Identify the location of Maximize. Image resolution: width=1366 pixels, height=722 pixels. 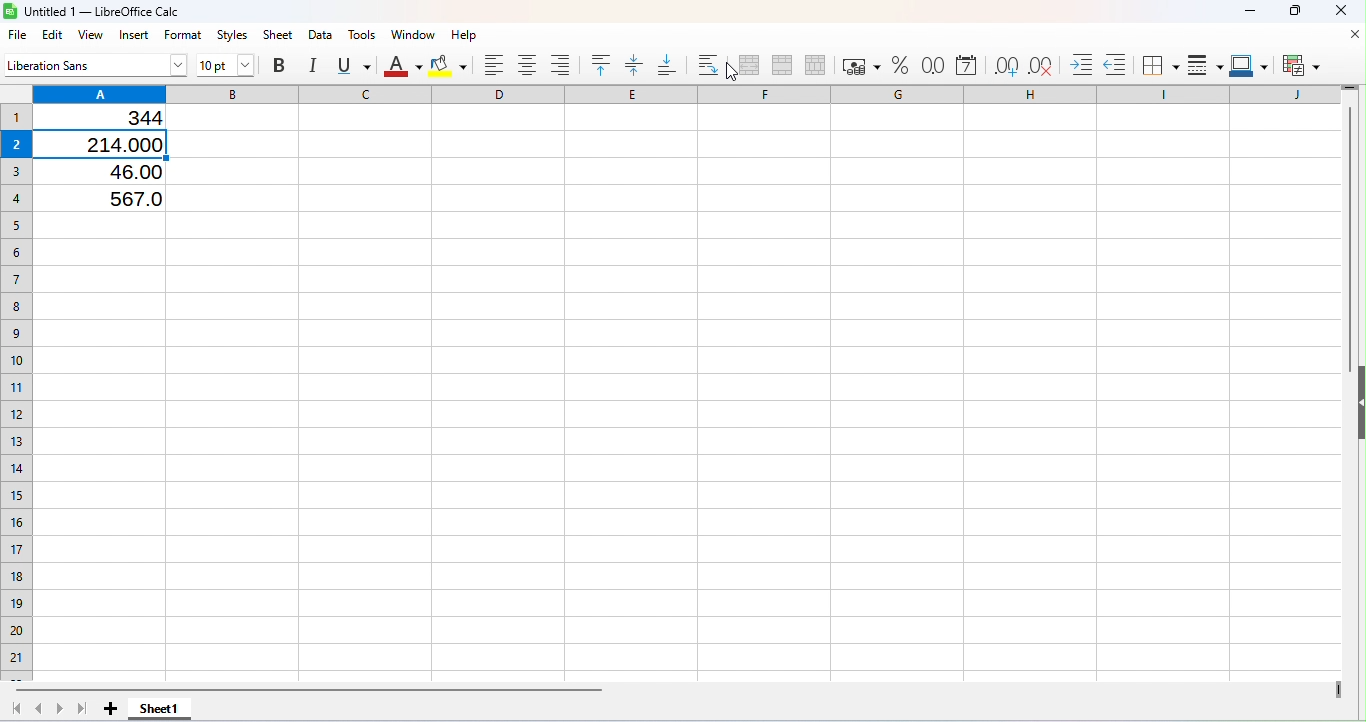
(1294, 12).